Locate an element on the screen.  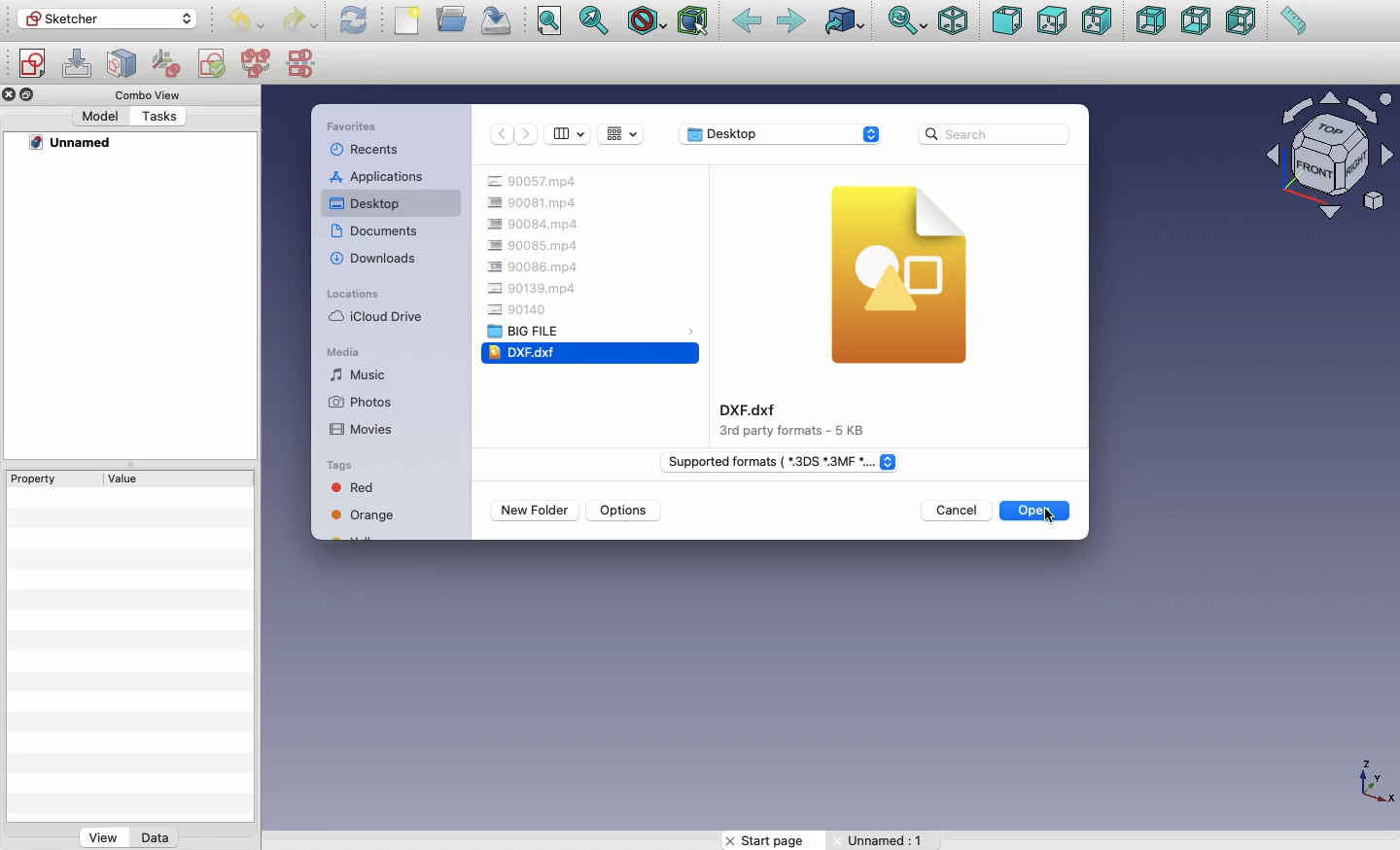
View is located at coordinates (100, 838).